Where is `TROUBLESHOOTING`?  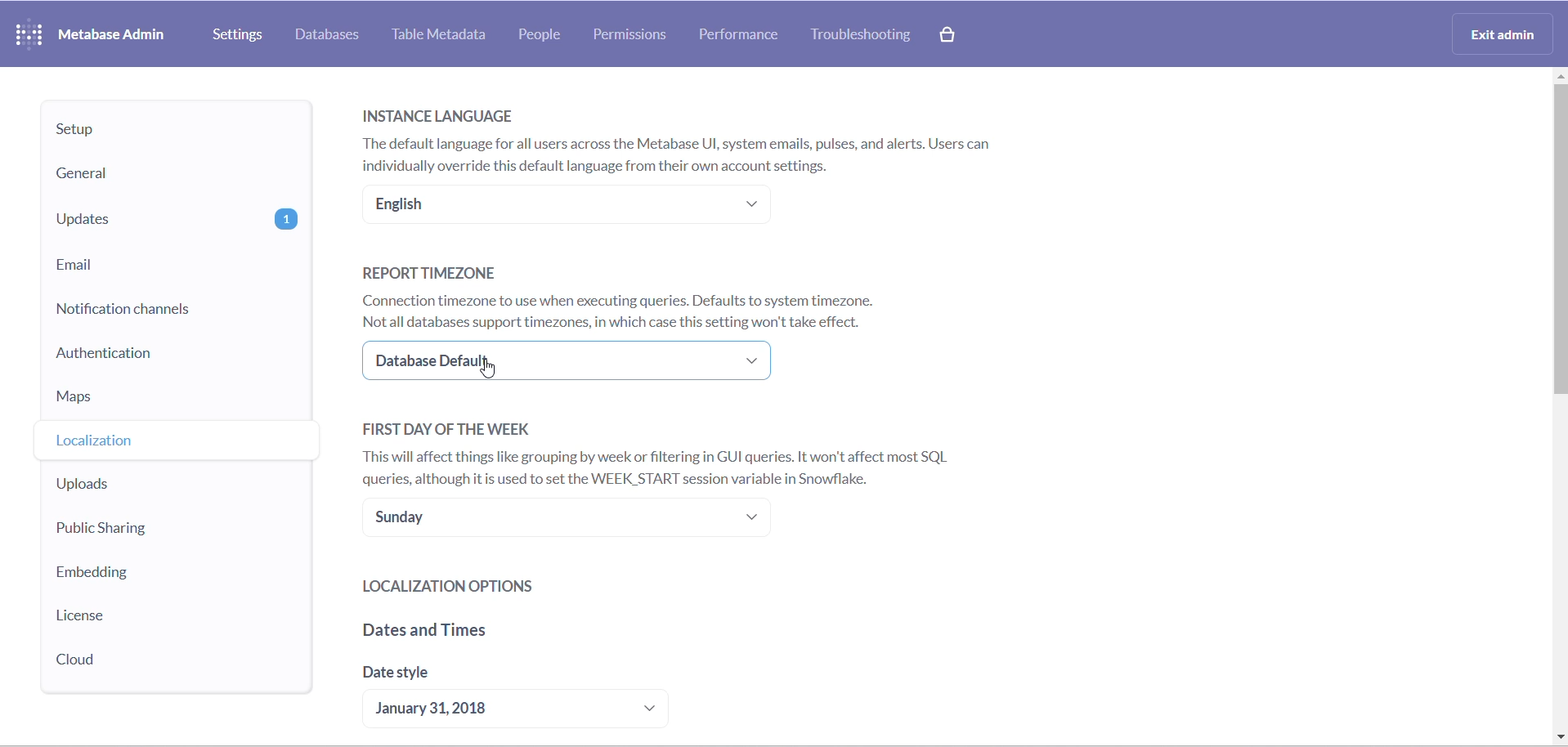
TROUBLESHOOTING is located at coordinates (864, 37).